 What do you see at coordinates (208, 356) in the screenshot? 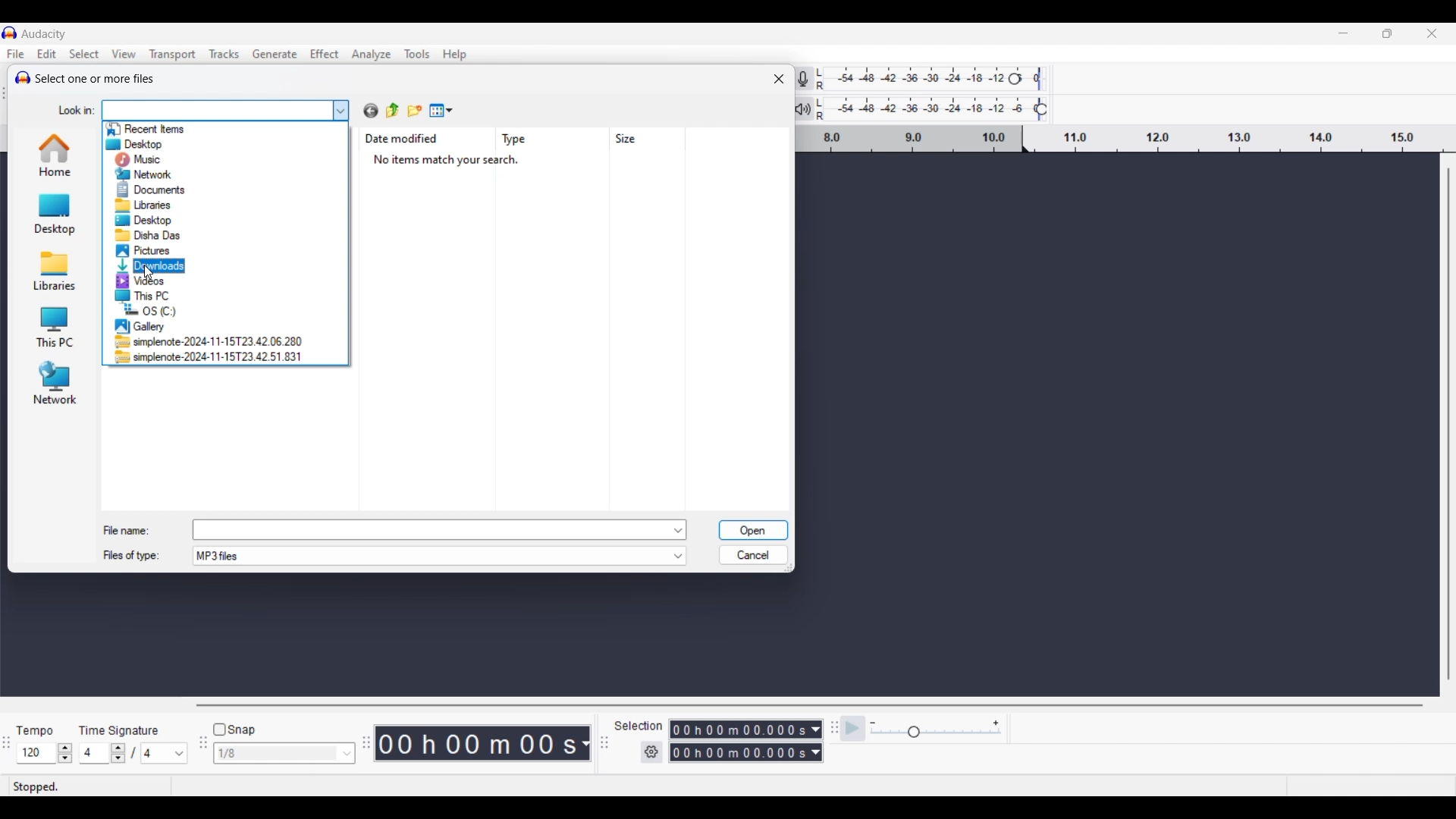
I see ` simplenote-2024-11-15T23.42.51 831` at bounding box center [208, 356].